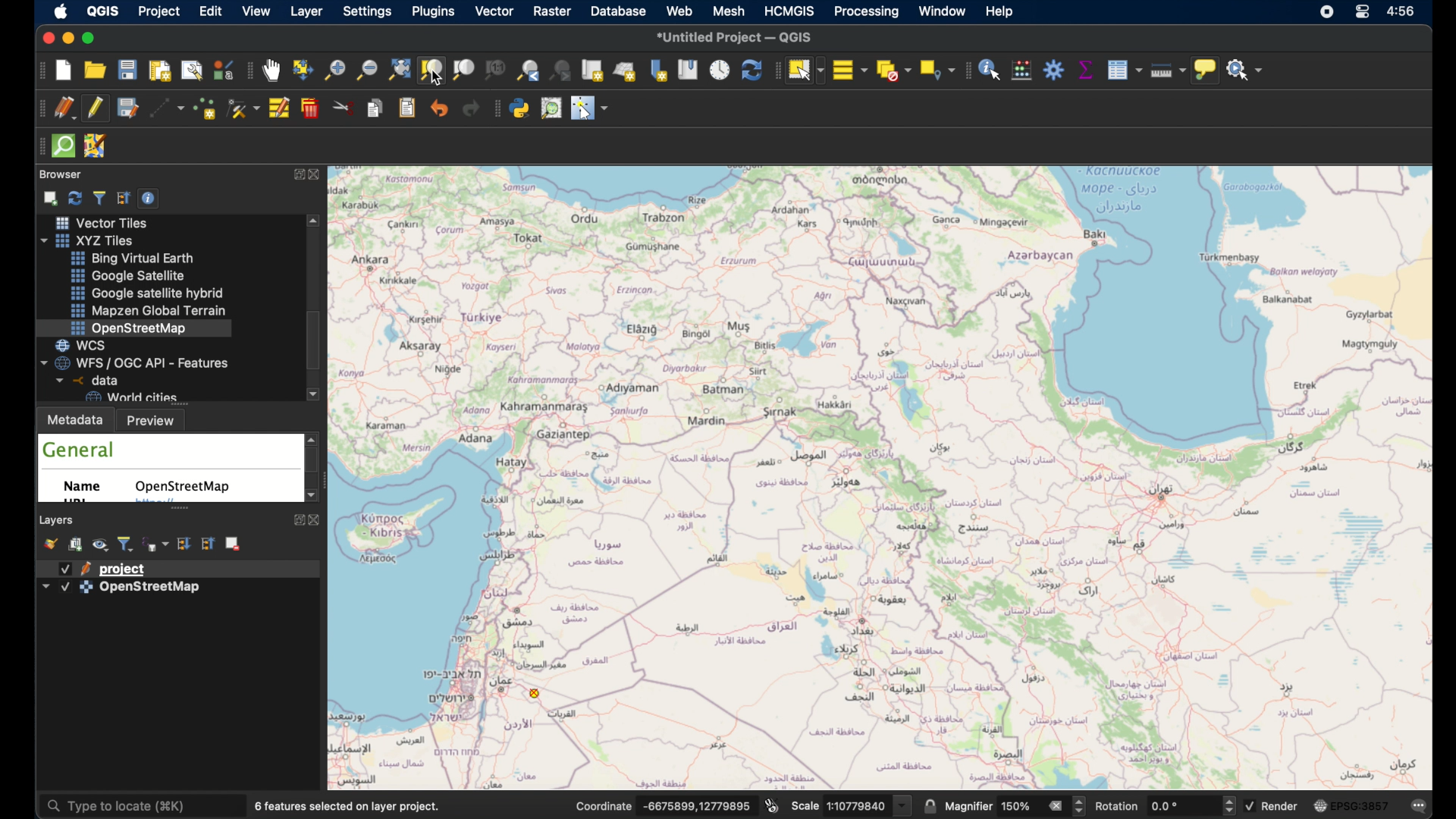  What do you see at coordinates (130, 397) in the screenshot?
I see `world cities` at bounding box center [130, 397].